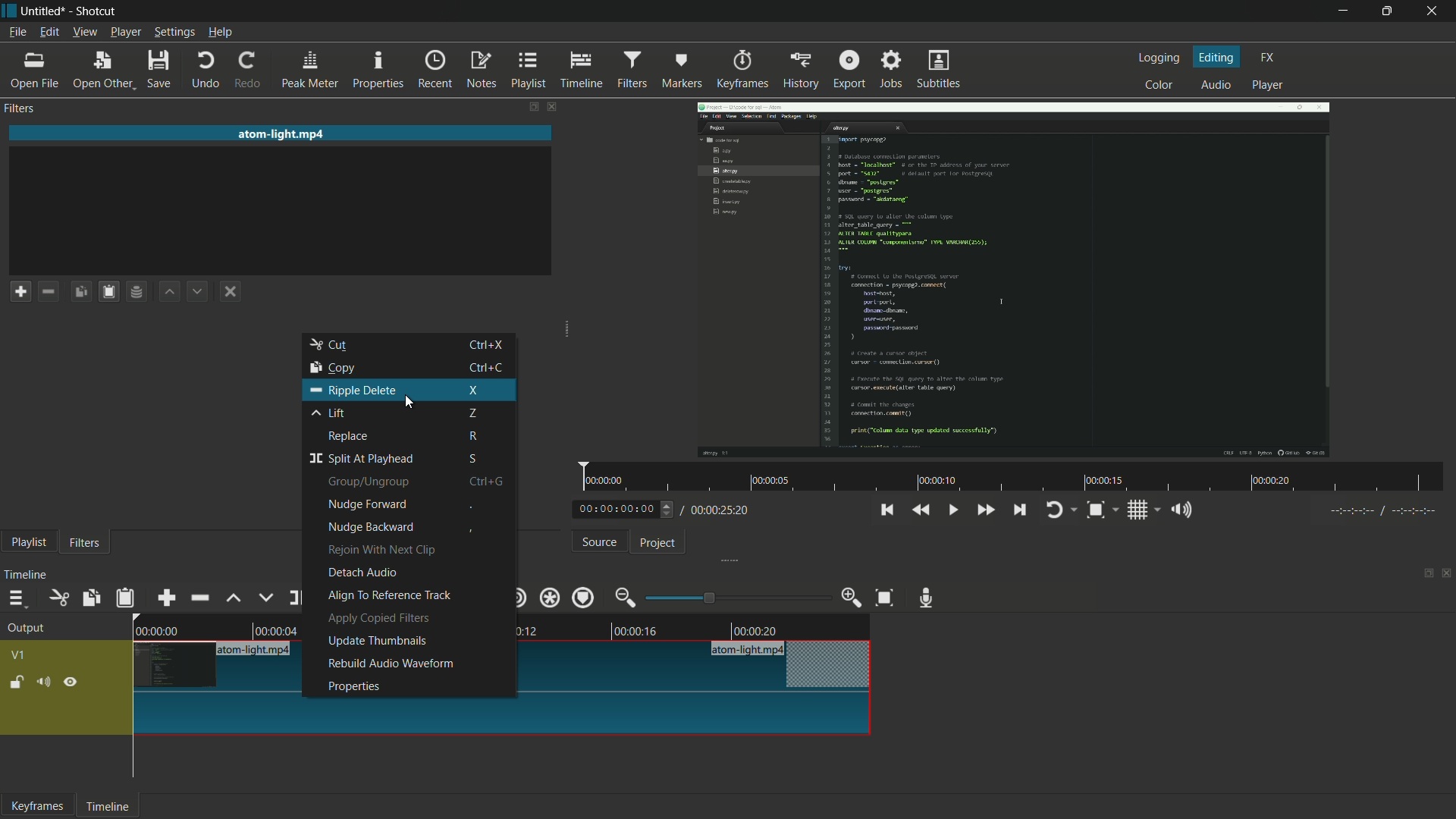 This screenshot has height=819, width=1456. What do you see at coordinates (28, 543) in the screenshot?
I see `playlist` at bounding box center [28, 543].